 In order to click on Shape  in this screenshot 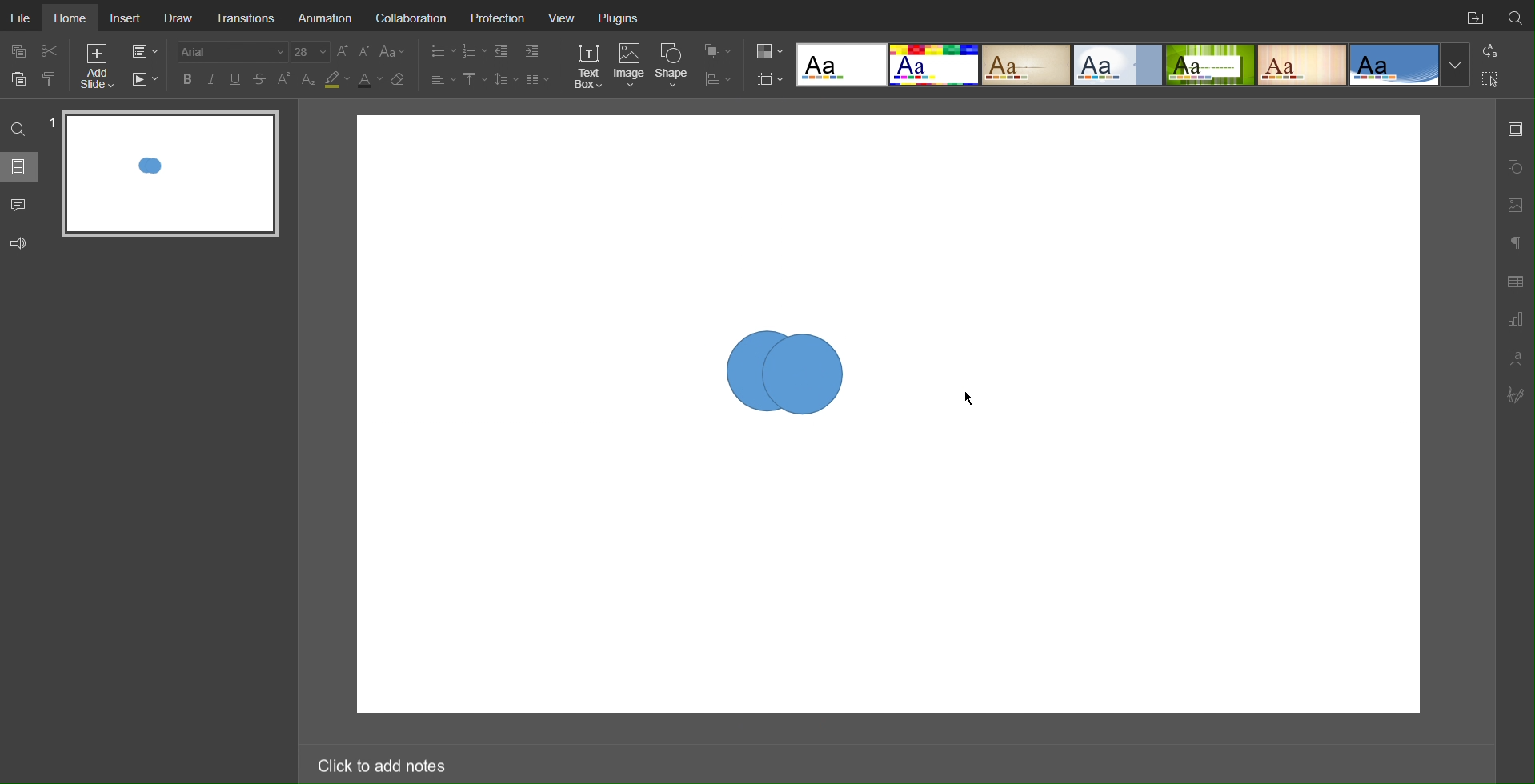, I will do `click(675, 65)`.